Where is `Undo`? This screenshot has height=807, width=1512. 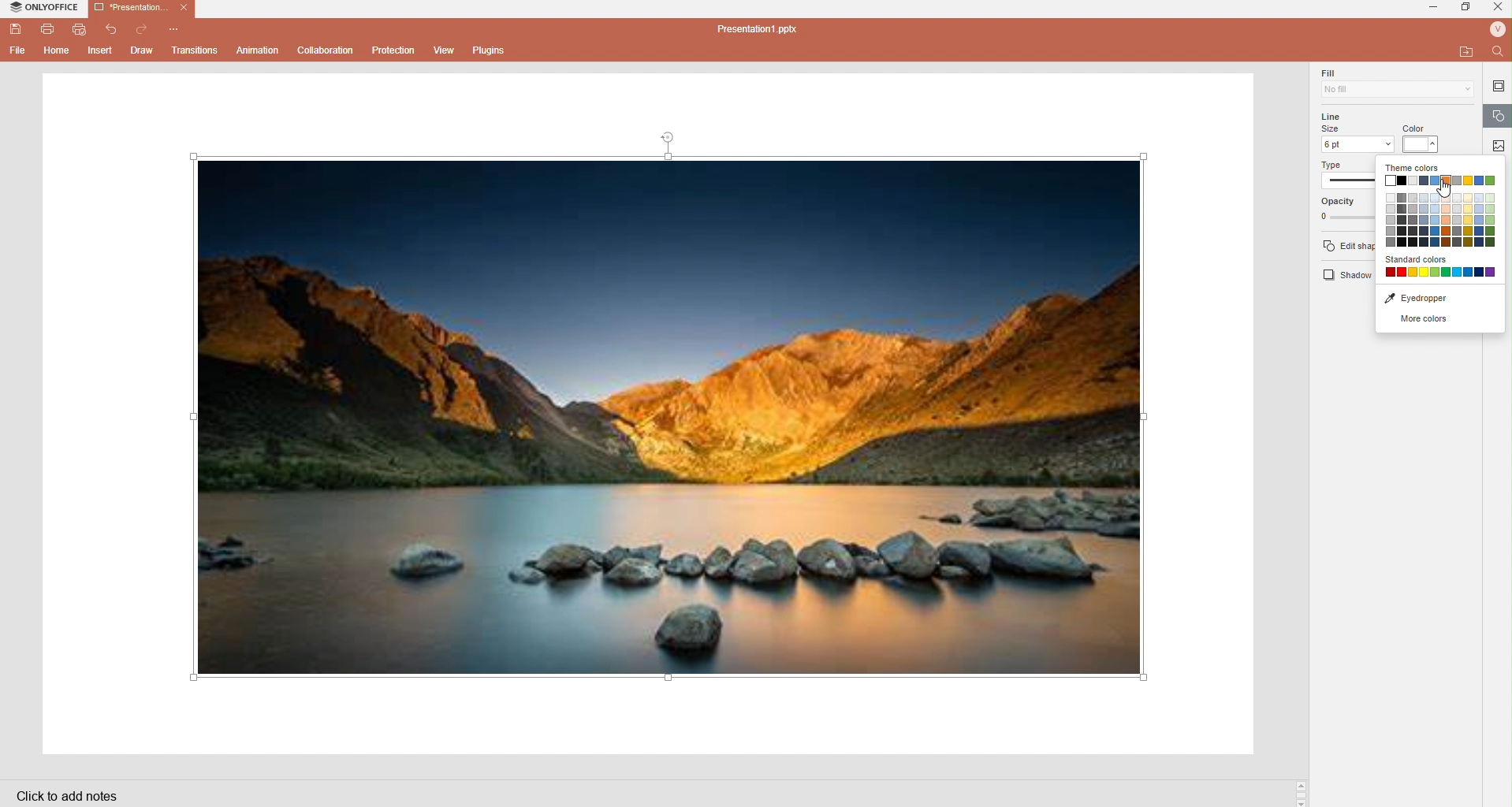 Undo is located at coordinates (115, 29).